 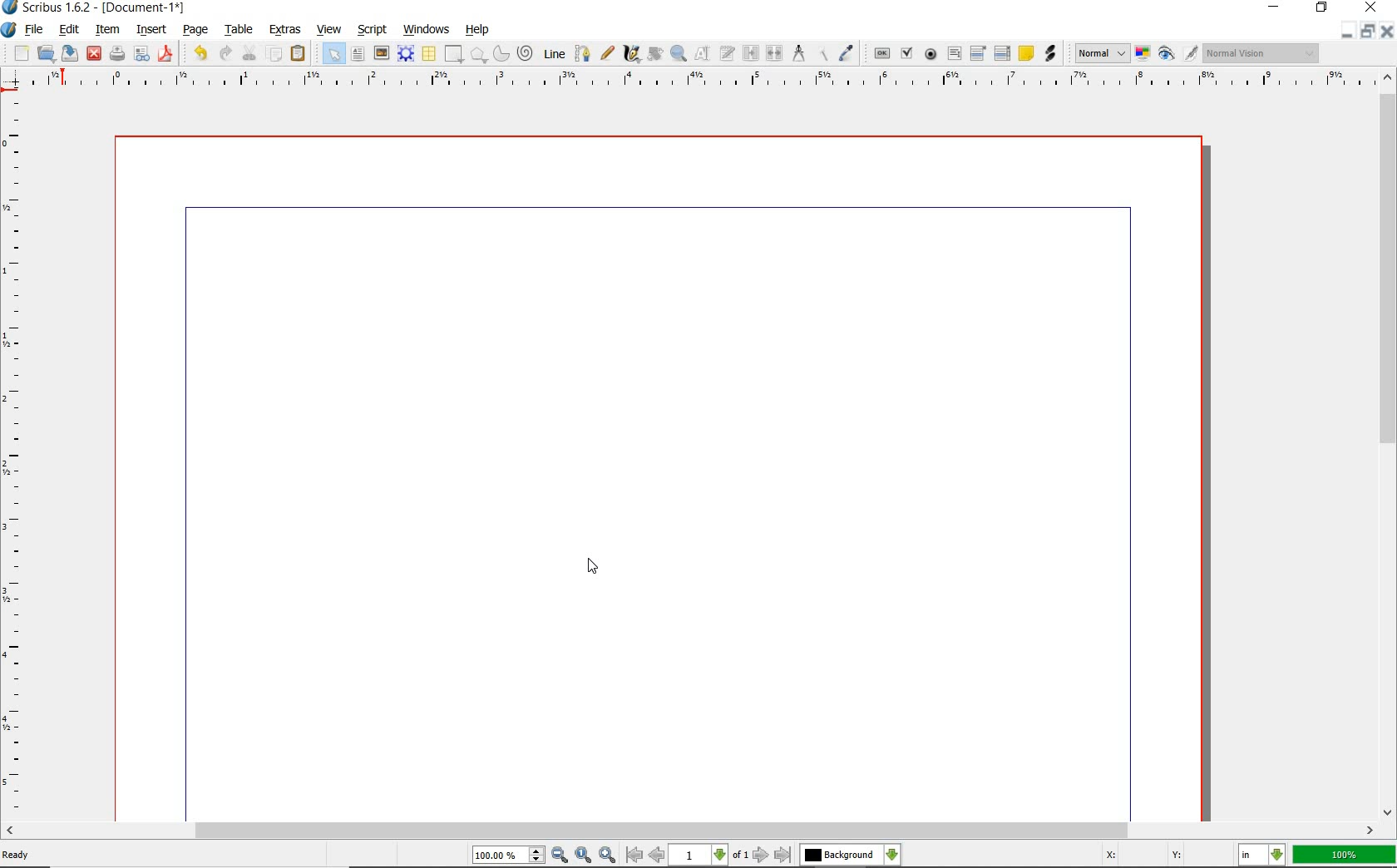 What do you see at coordinates (1276, 8) in the screenshot?
I see `minimize` at bounding box center [1276, 8].